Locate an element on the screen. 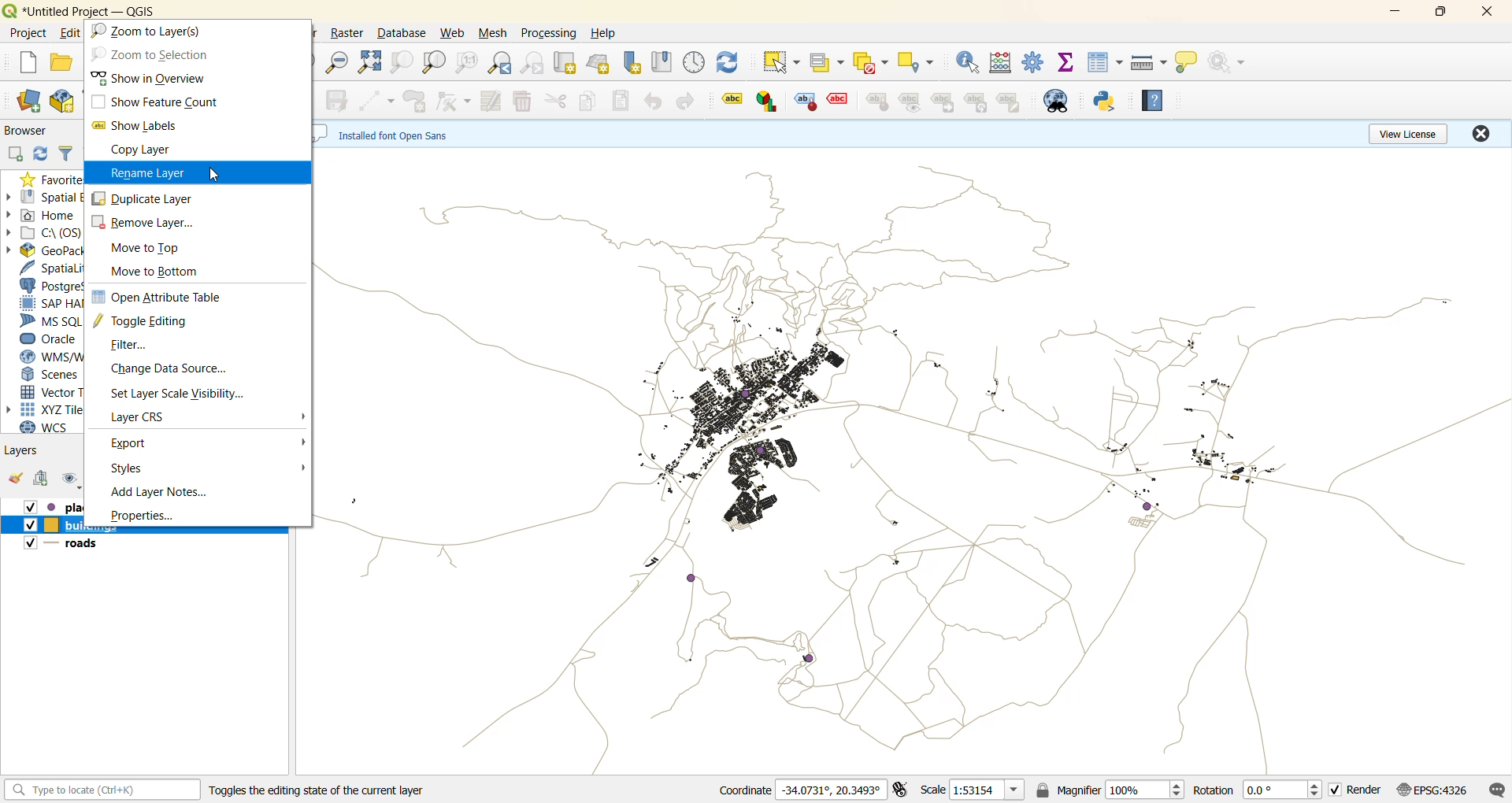 The height and width of the screenshot is (803, 1512). new spatial bookmark is located at coordinates (632, 62).